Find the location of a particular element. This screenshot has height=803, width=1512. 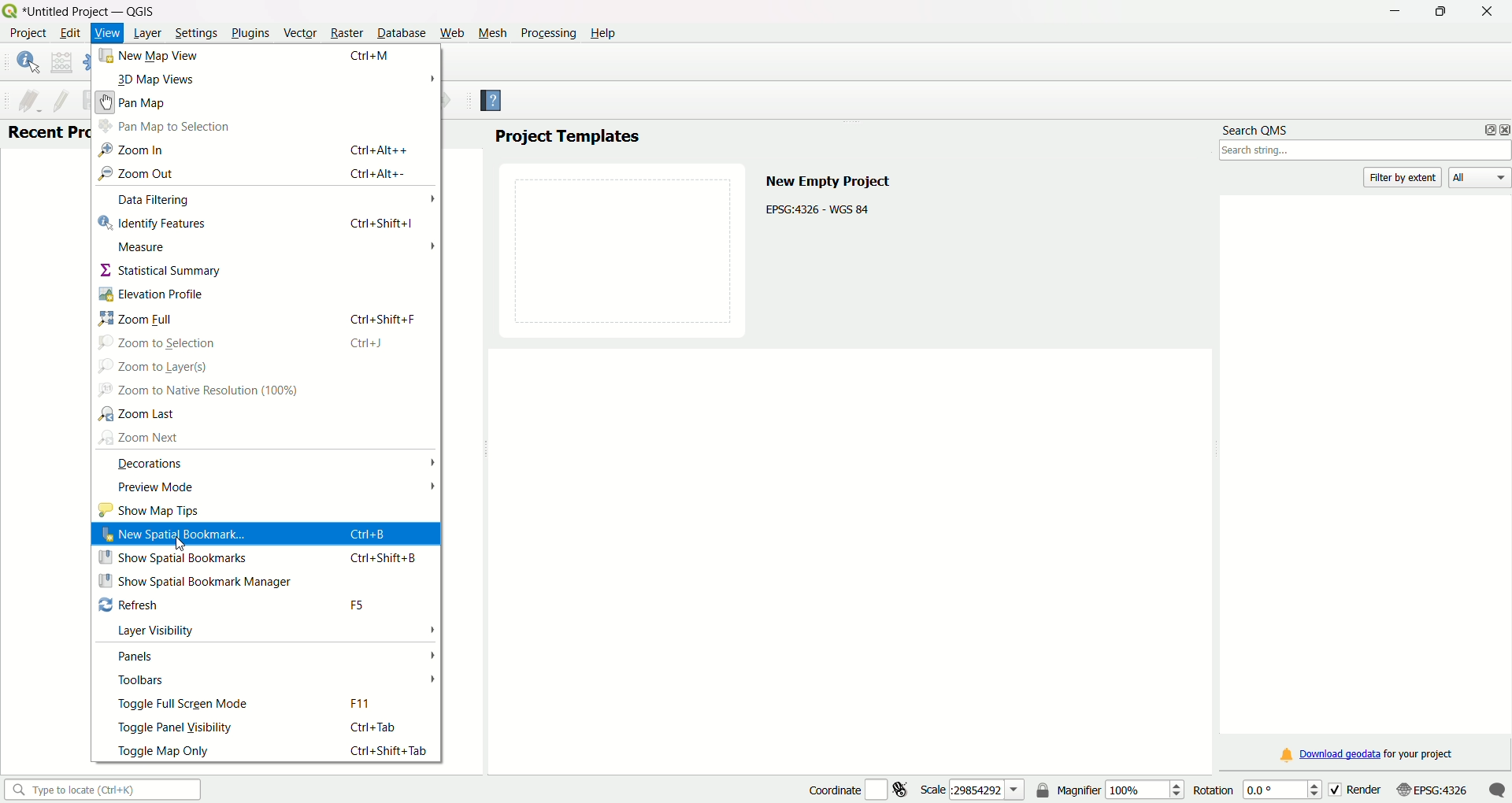

refresh is located at coordinates (129, 605).